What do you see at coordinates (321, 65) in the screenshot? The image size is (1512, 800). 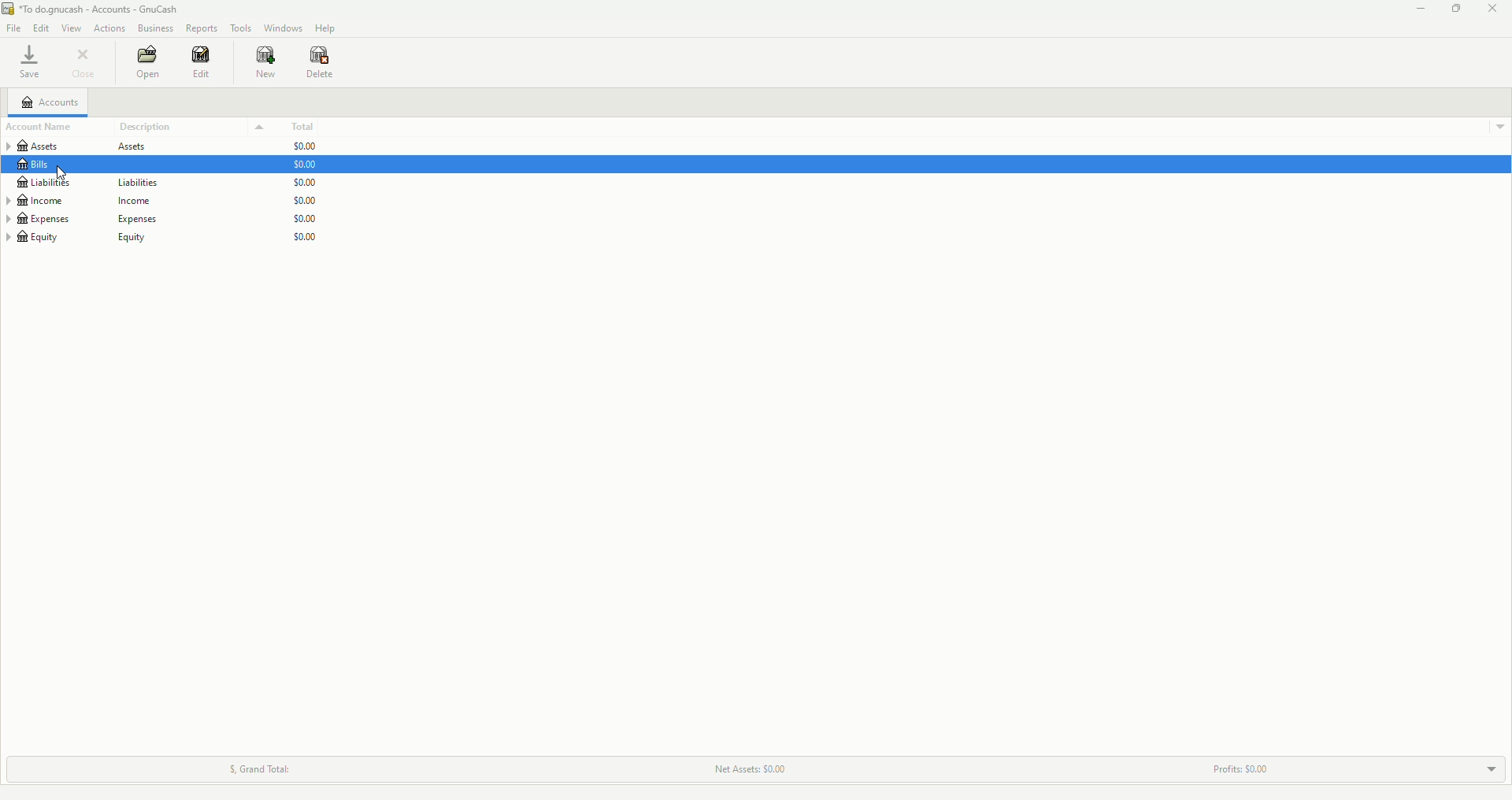 I see `Delete` at bounding box center [321, 65].